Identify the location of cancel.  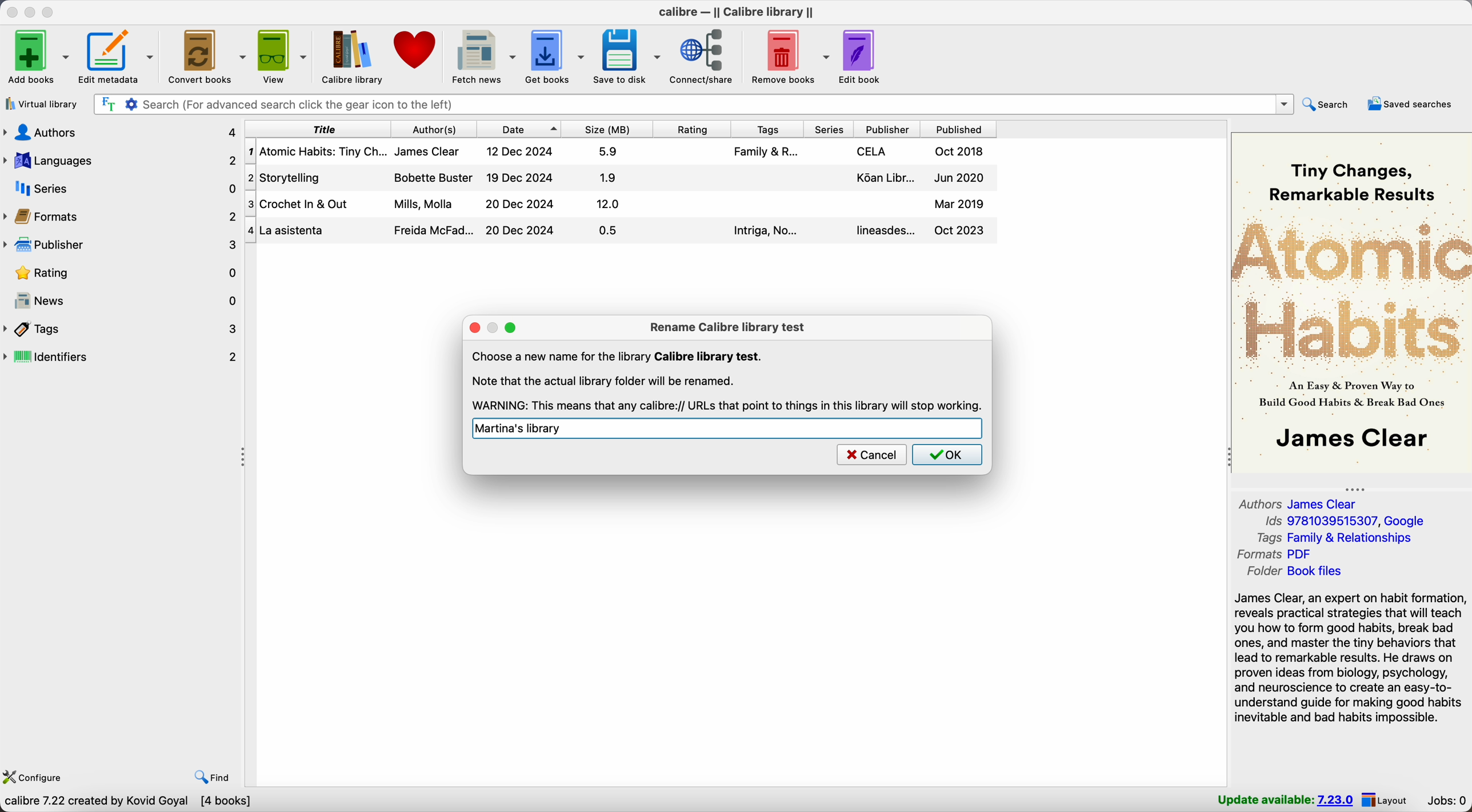
(871, 455).